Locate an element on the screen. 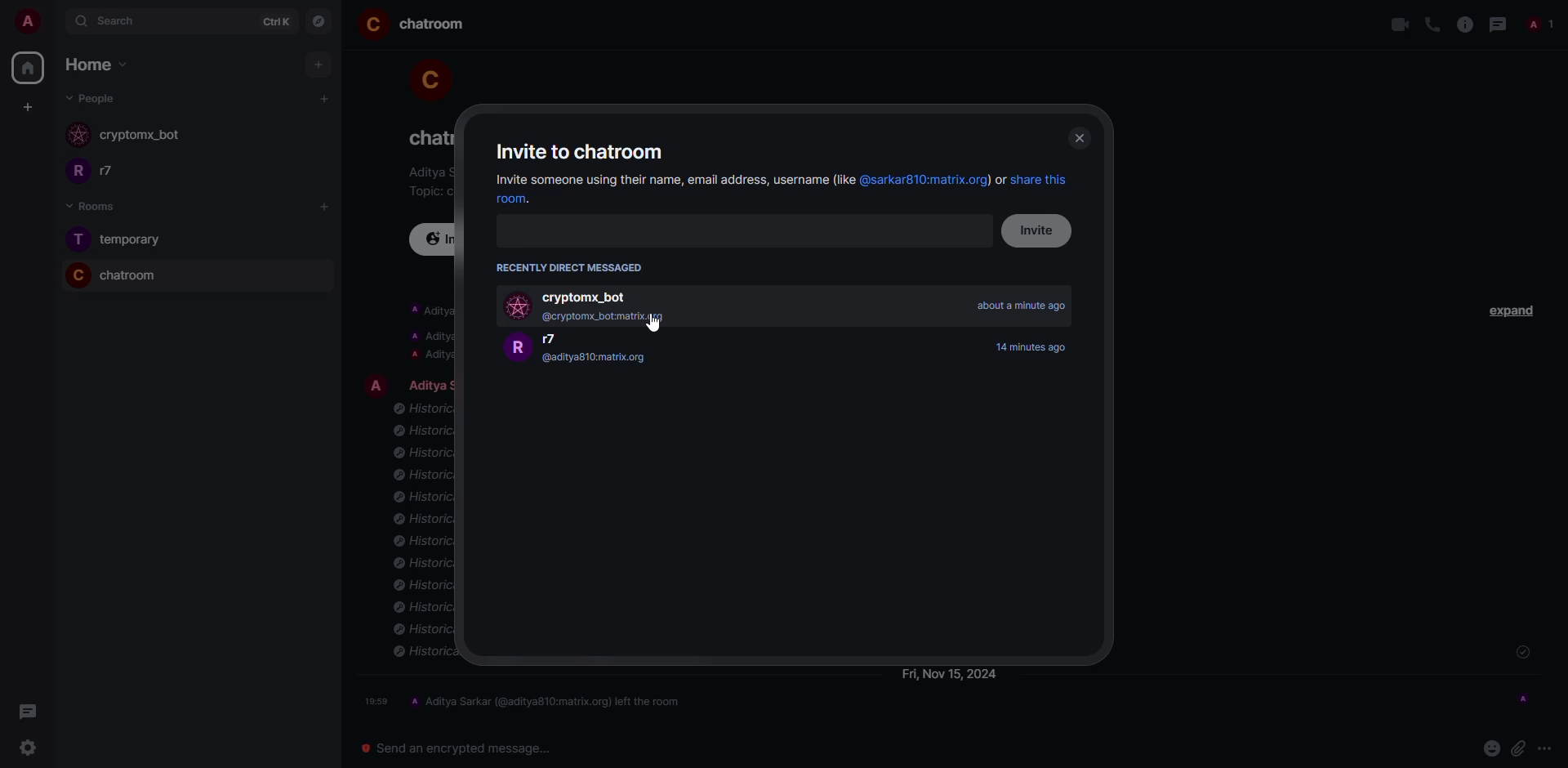 The width and height of the screenshot is (1568, 768). profile is located at coordinates (426, 76).